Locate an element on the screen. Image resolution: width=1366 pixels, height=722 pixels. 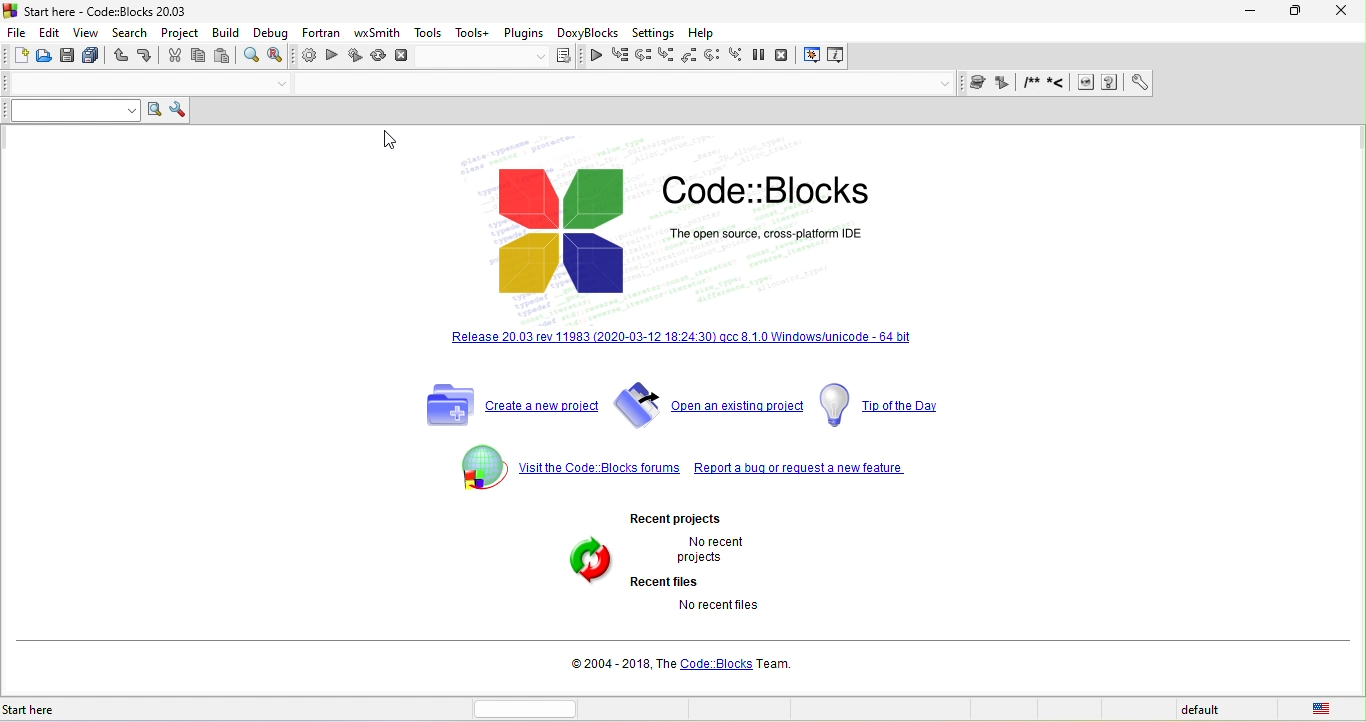
united state is located at coordinates (1326, 710).